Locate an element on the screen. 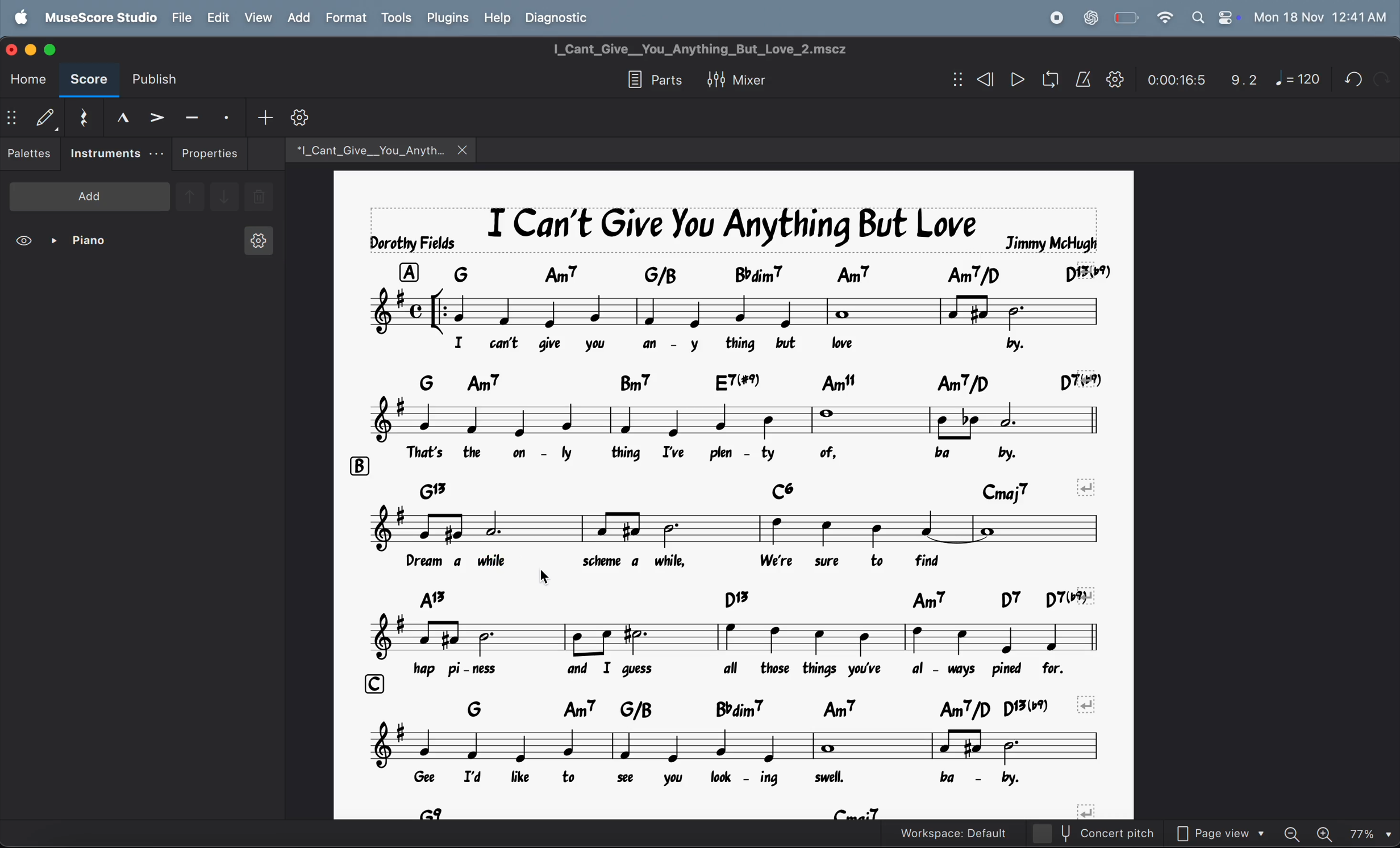 The image size is (1400, 848). view is located at coordinates (259, 19).